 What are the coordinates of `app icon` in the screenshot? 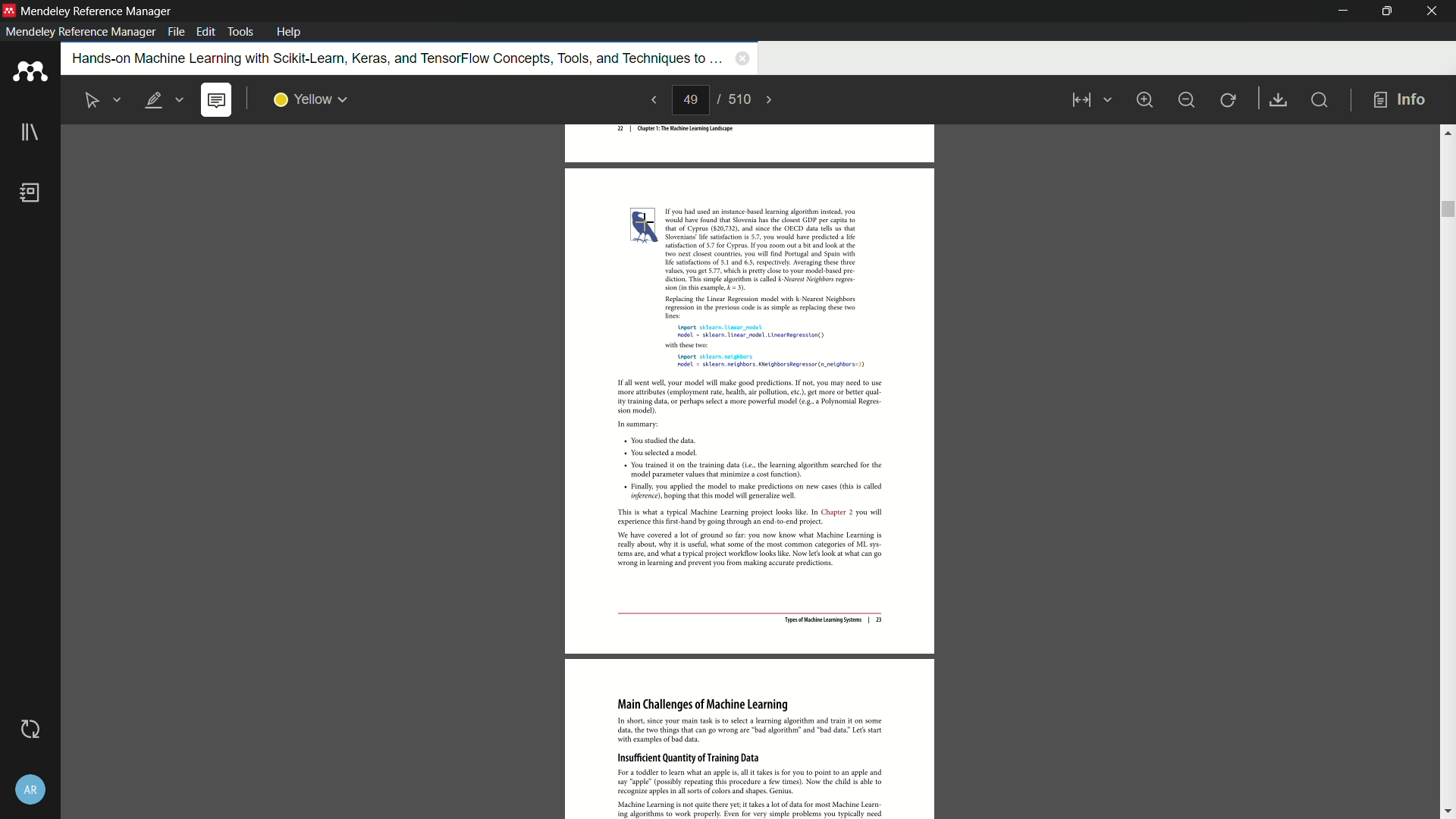 It's located at (29, 73).